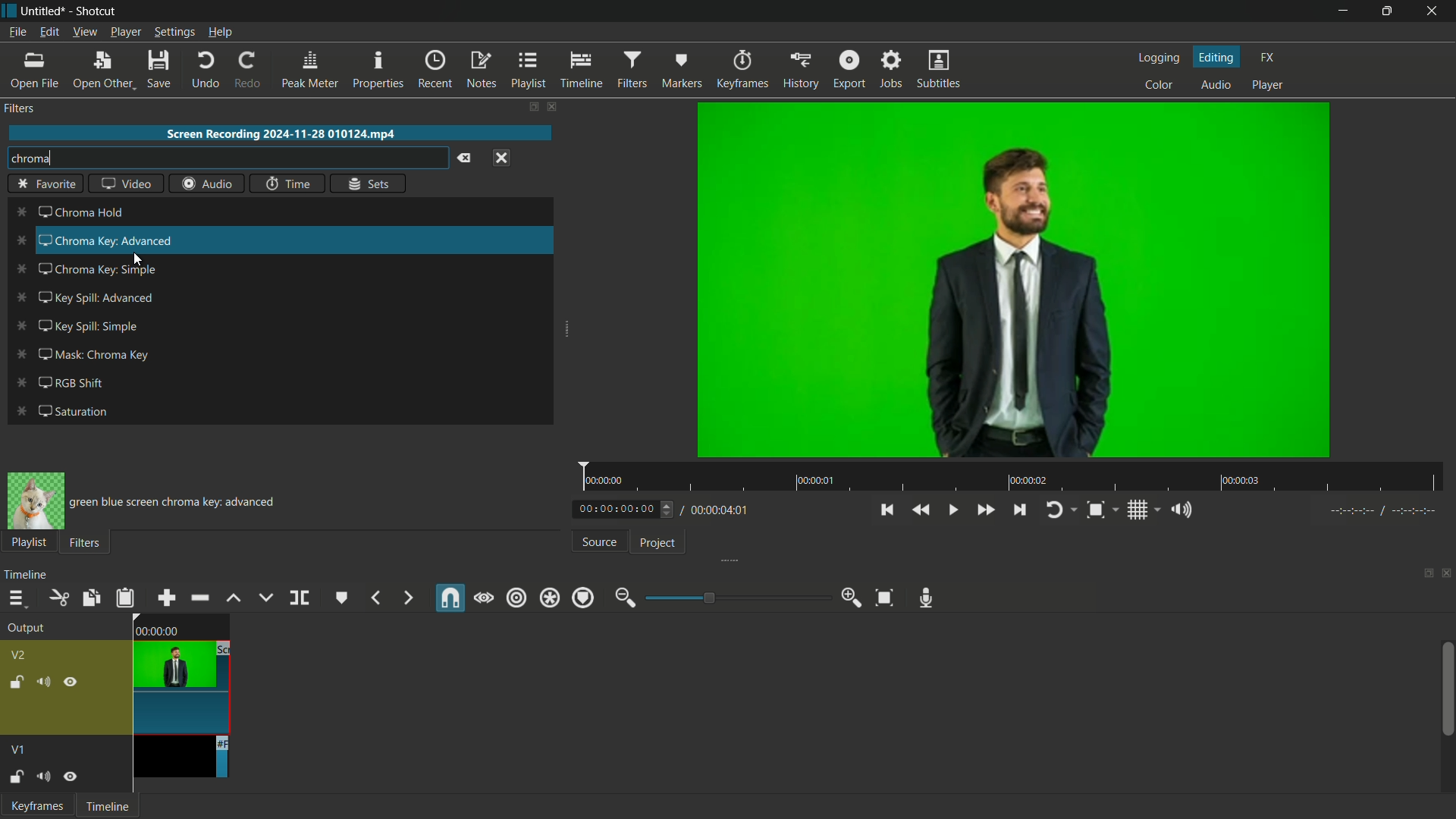  Describe the element at coordinates (852, 598) in the screenshot. I see `zoom in` at that location.